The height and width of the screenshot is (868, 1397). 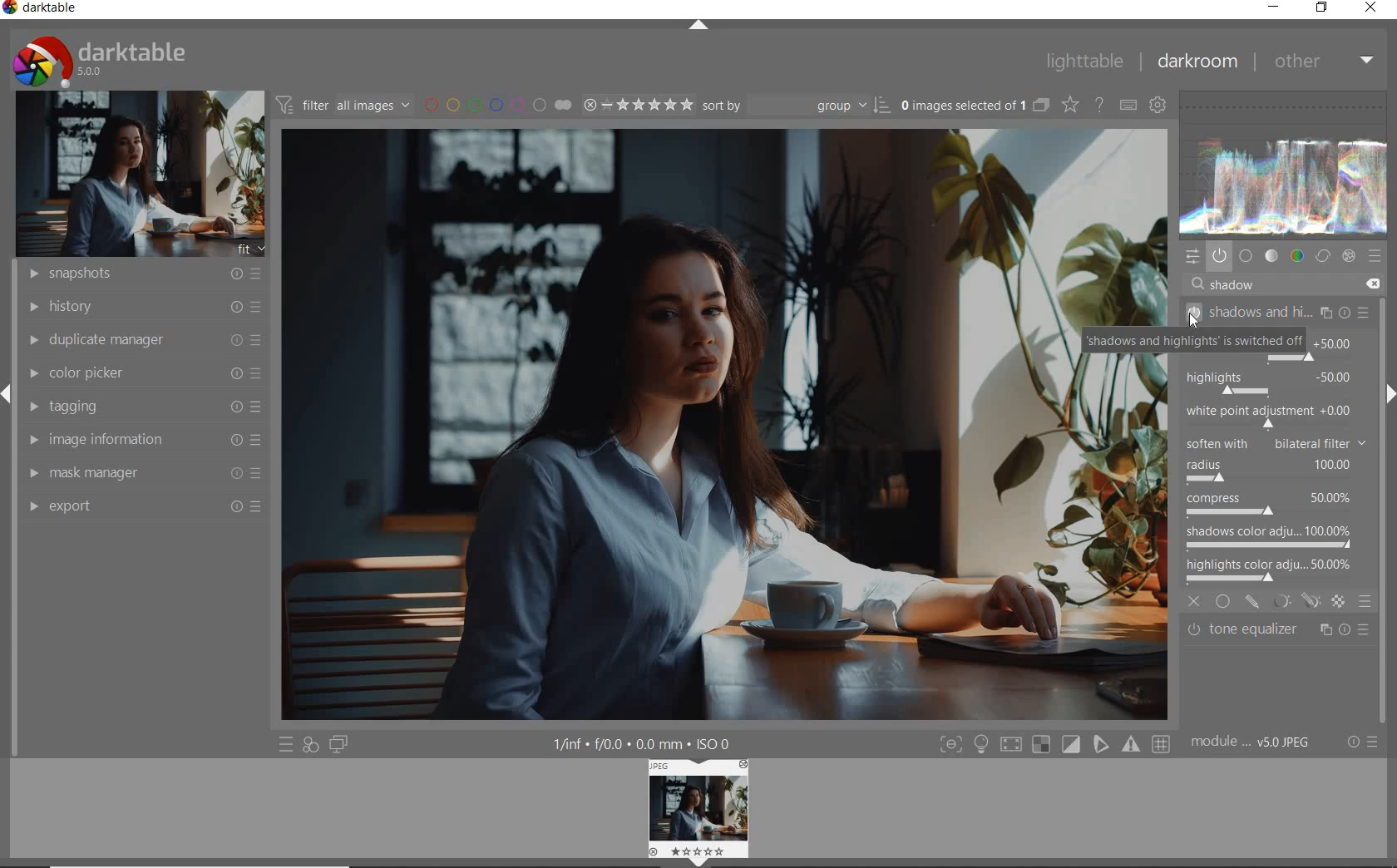 What do you see at coordinates (143, 373) in the screenshot?
I see `color picker` at bounding box center [143, 373].